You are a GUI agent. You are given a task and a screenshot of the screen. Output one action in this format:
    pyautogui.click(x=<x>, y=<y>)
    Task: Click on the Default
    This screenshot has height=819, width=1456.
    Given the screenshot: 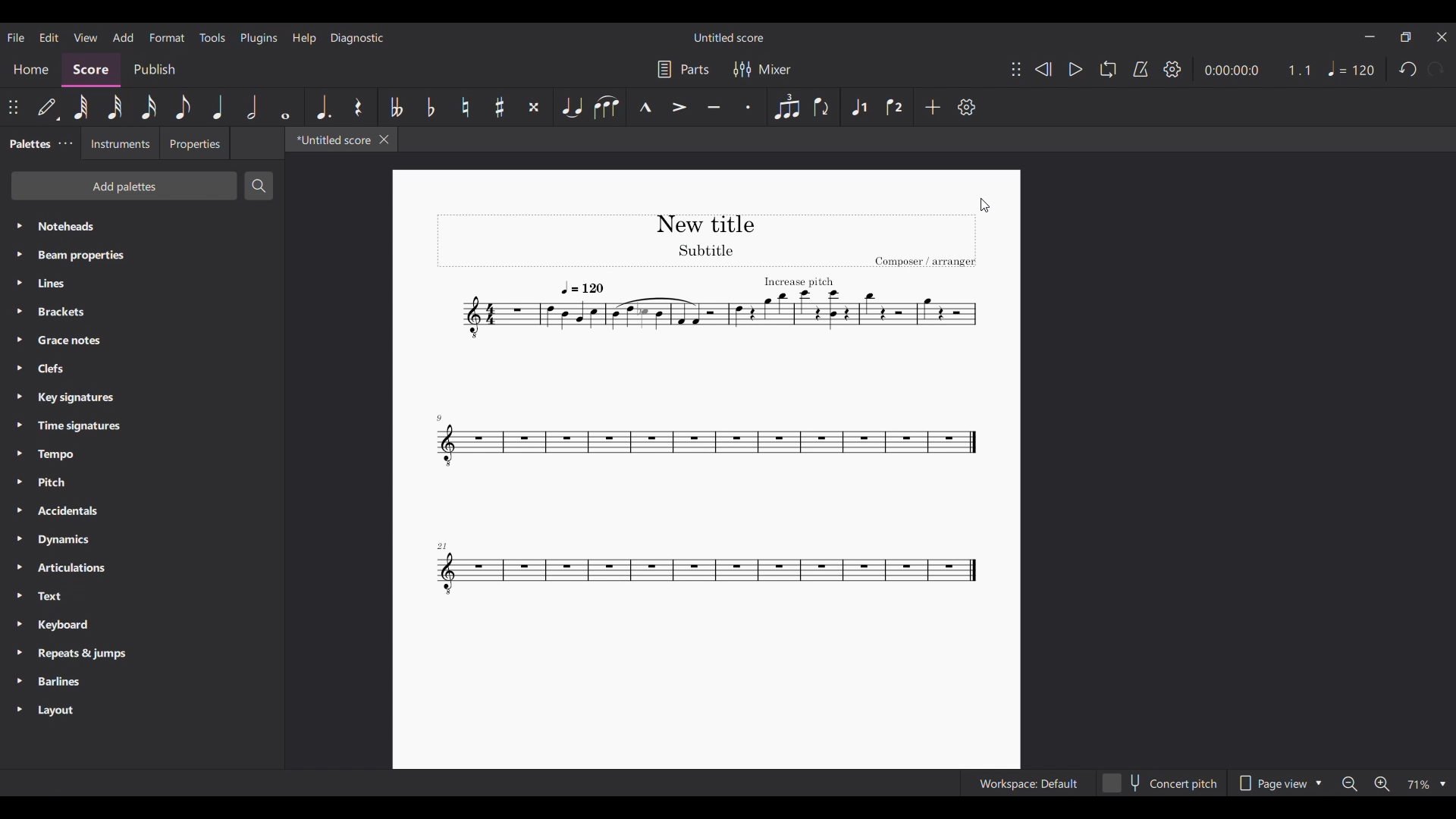 What is the action you would take?
    pyautogui.click(x=47, y=107)
    